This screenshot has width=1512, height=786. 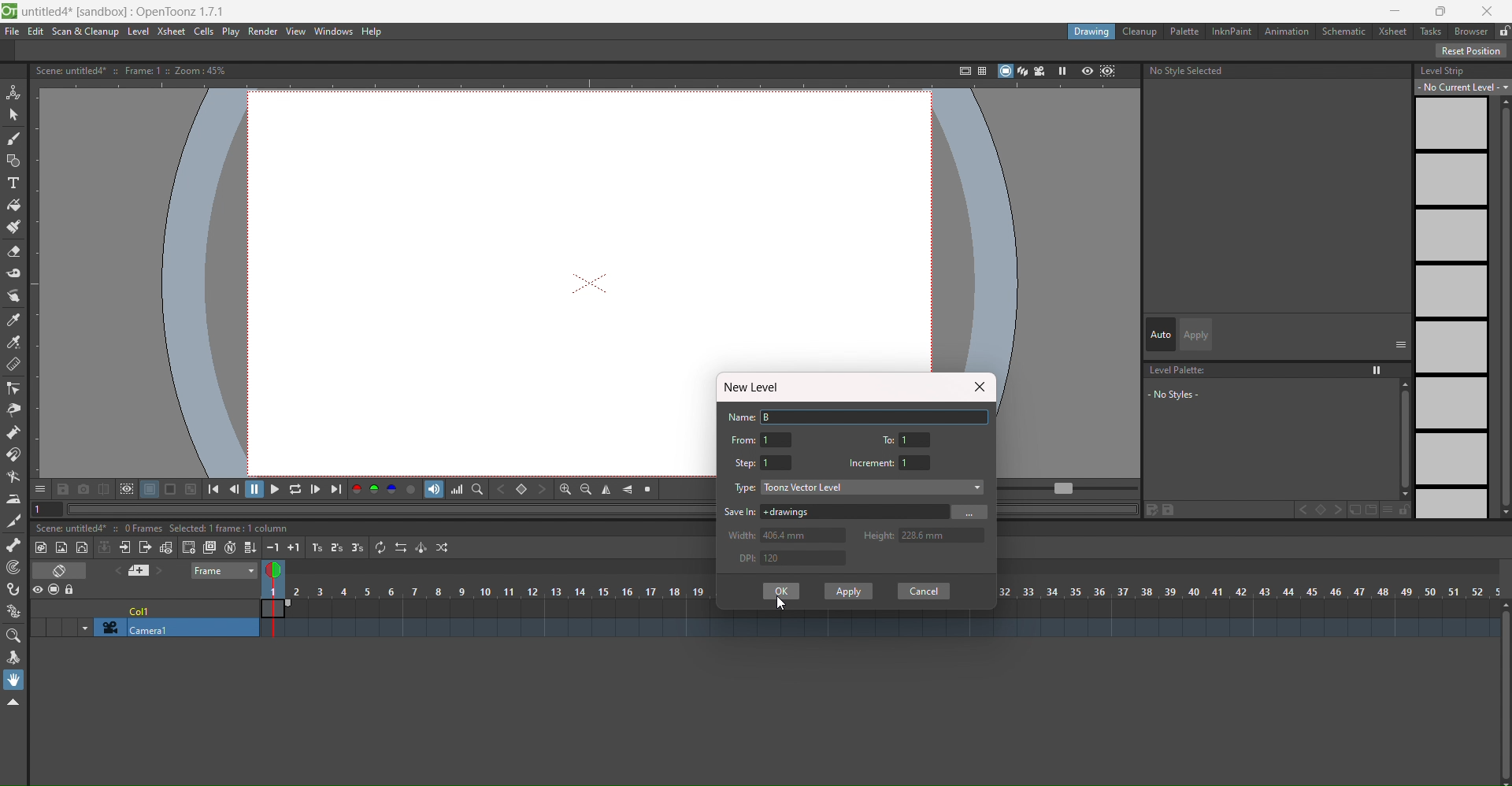 I want to click on 1, so click(x=777, y=439).